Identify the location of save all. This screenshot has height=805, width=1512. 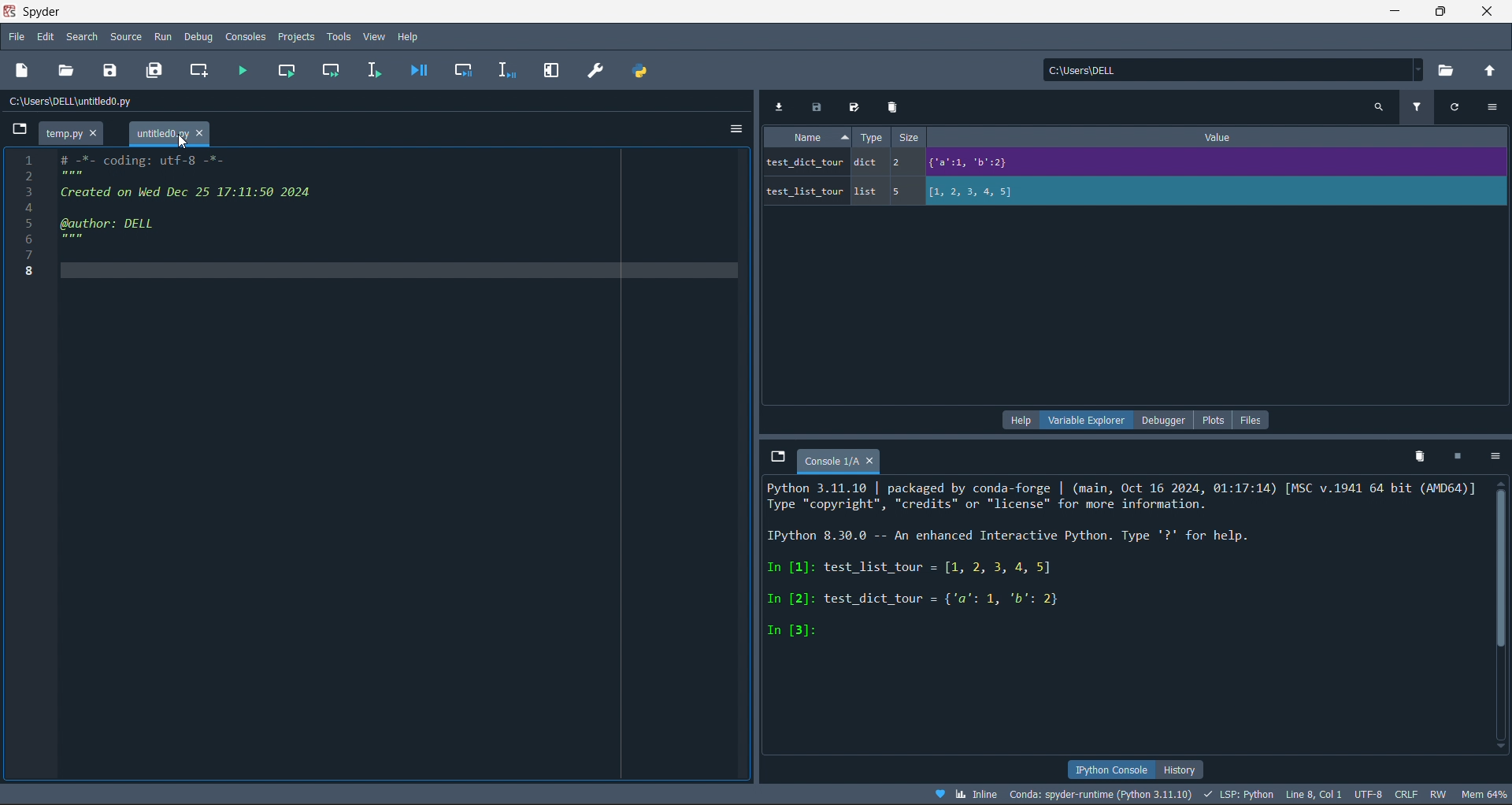
(158, 69).